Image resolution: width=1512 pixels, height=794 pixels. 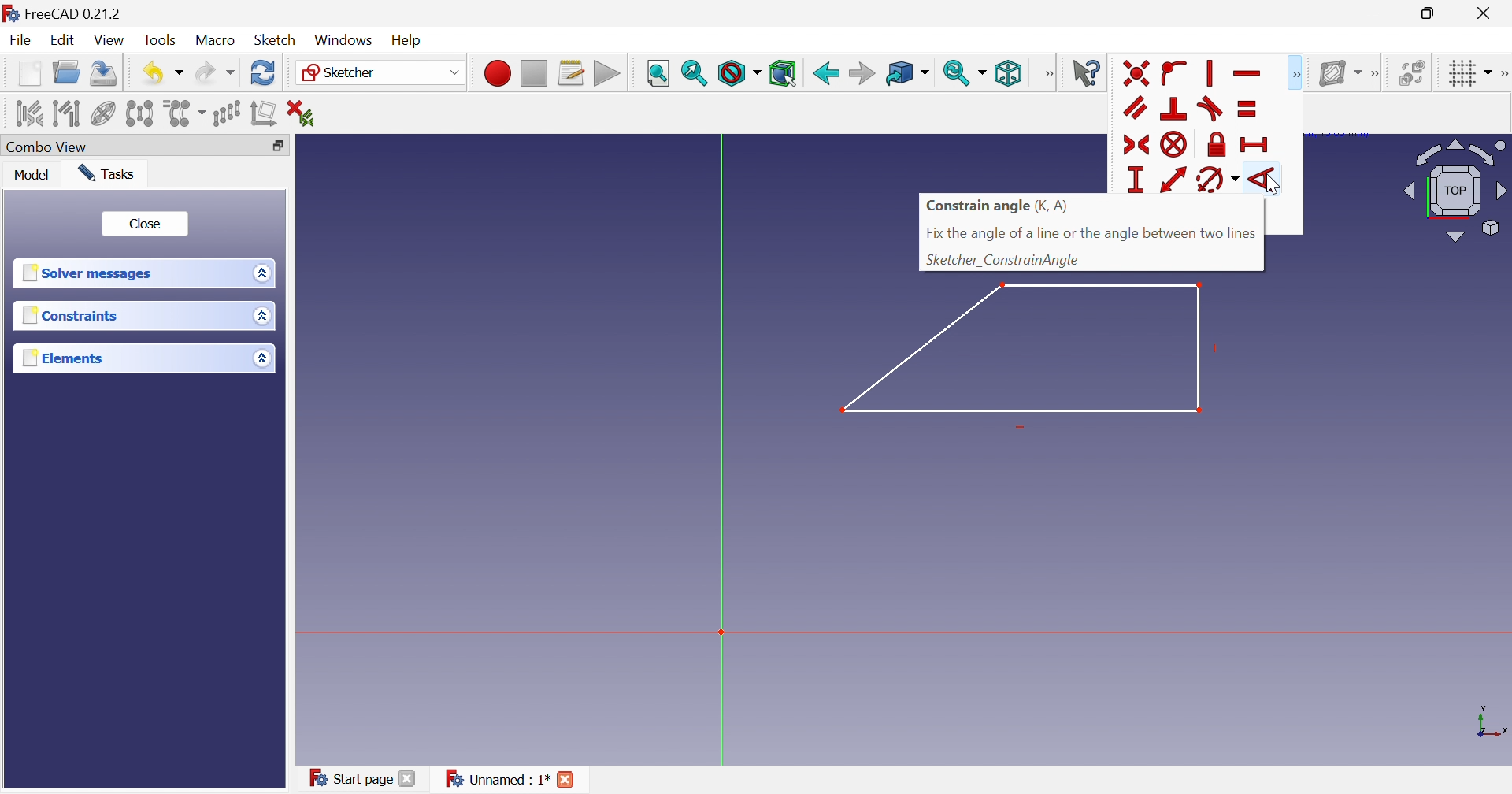 What do you see at coordinates (261, 358) in the screenshot?
I see `Drop Down` at bounding box center [261, 358].